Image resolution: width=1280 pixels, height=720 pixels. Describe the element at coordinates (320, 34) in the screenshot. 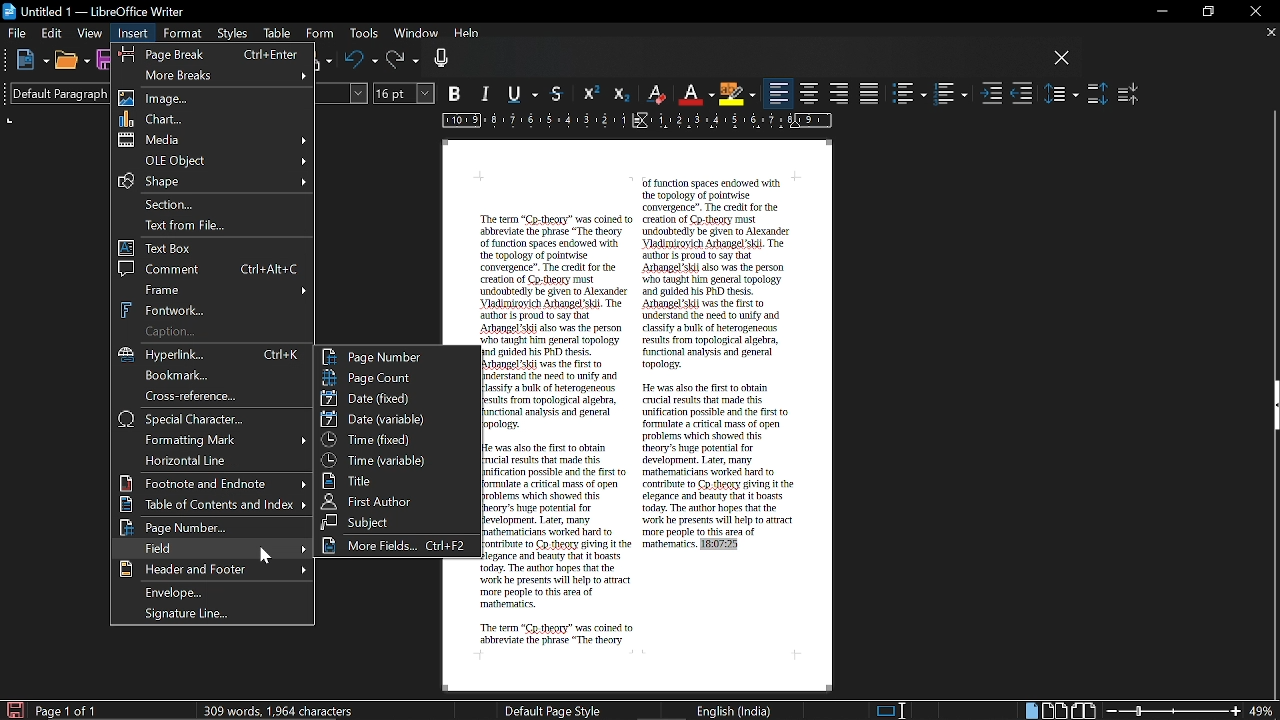

I see `Form` at that location.